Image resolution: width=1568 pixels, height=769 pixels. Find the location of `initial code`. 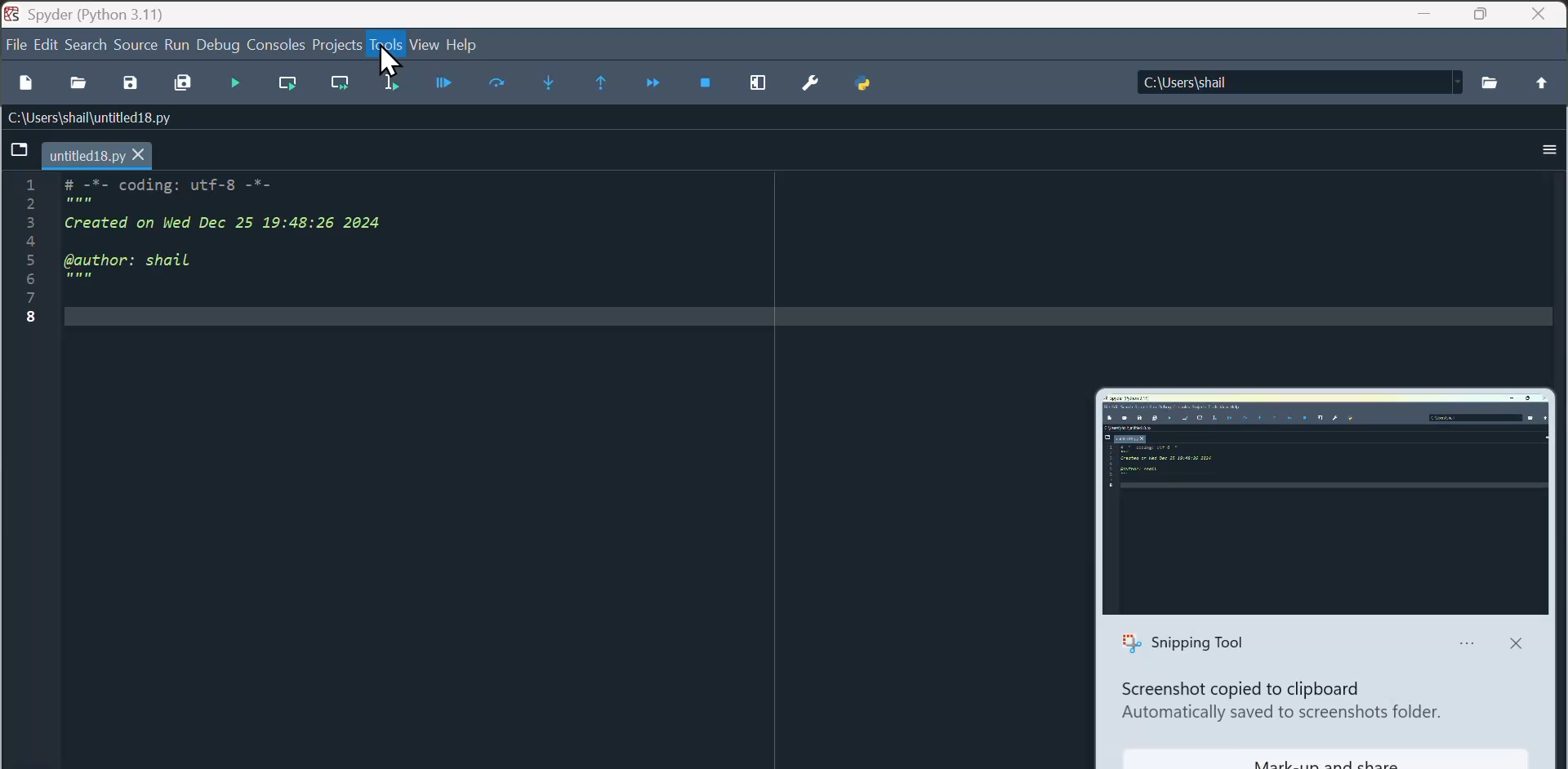

initial code is located at coordinates (229, 253).